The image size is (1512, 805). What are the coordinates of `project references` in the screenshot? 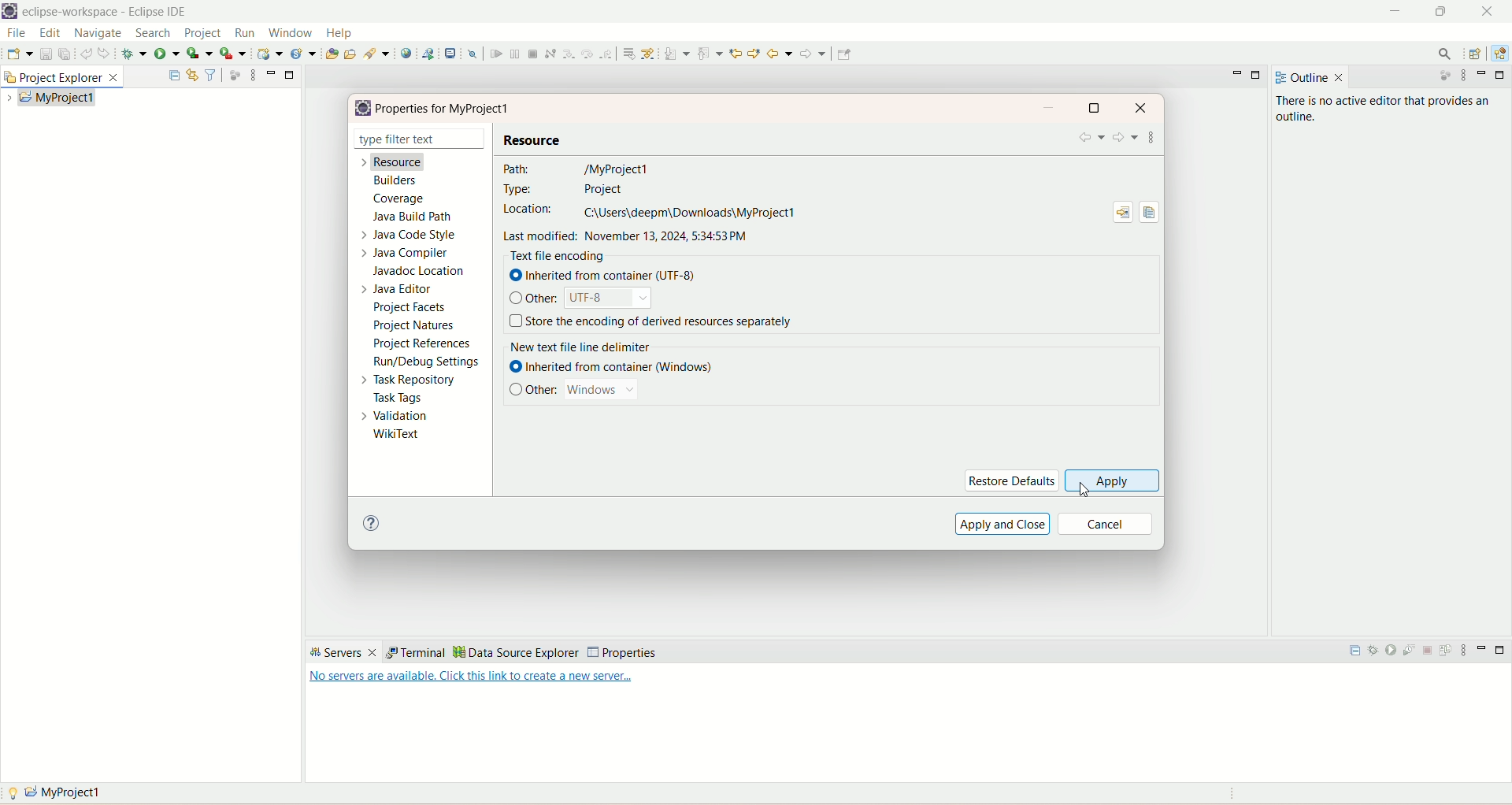 It's located at (422, 345).